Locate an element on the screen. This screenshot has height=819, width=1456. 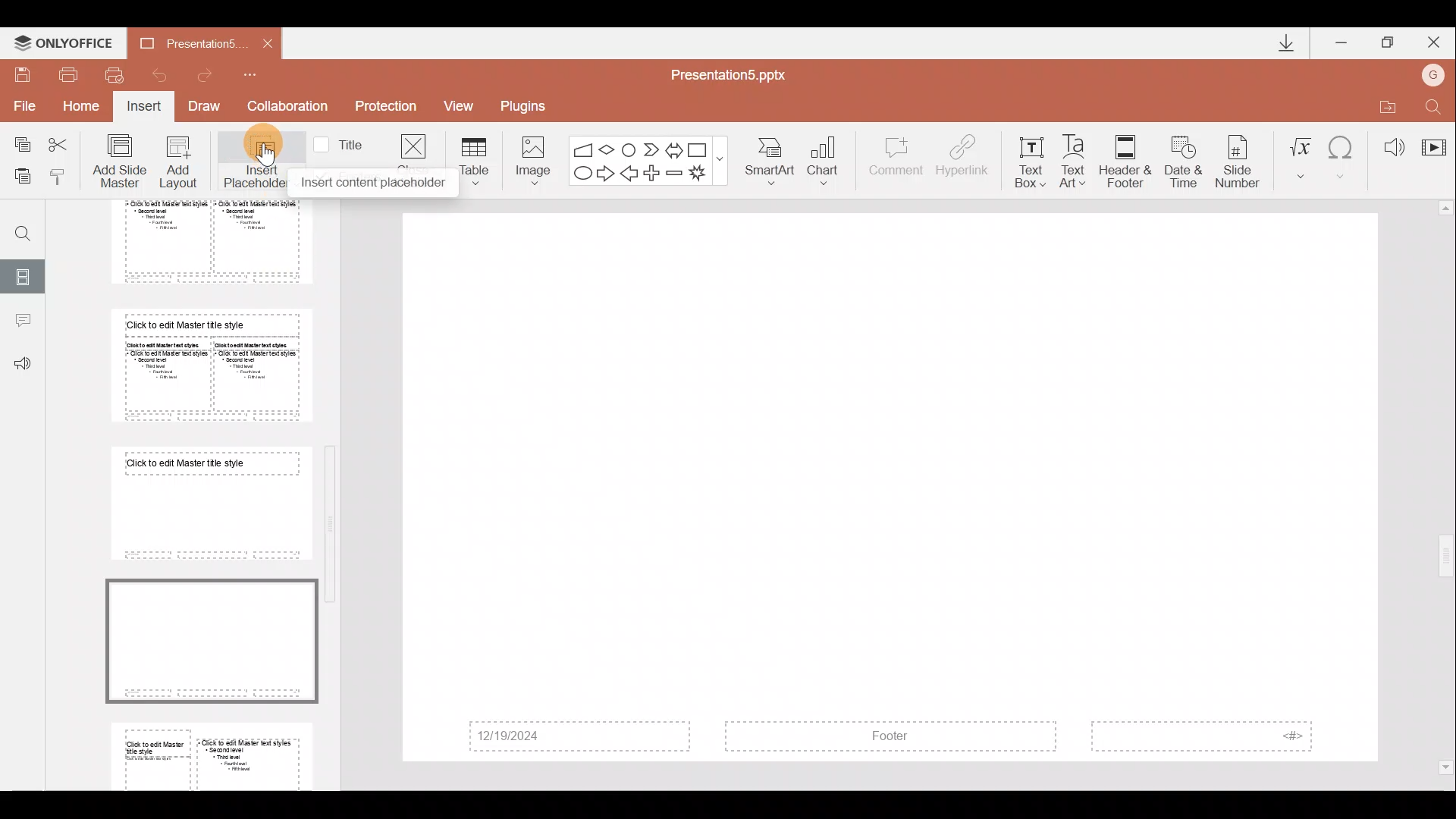
Document name is located at coordinates (181, 42).